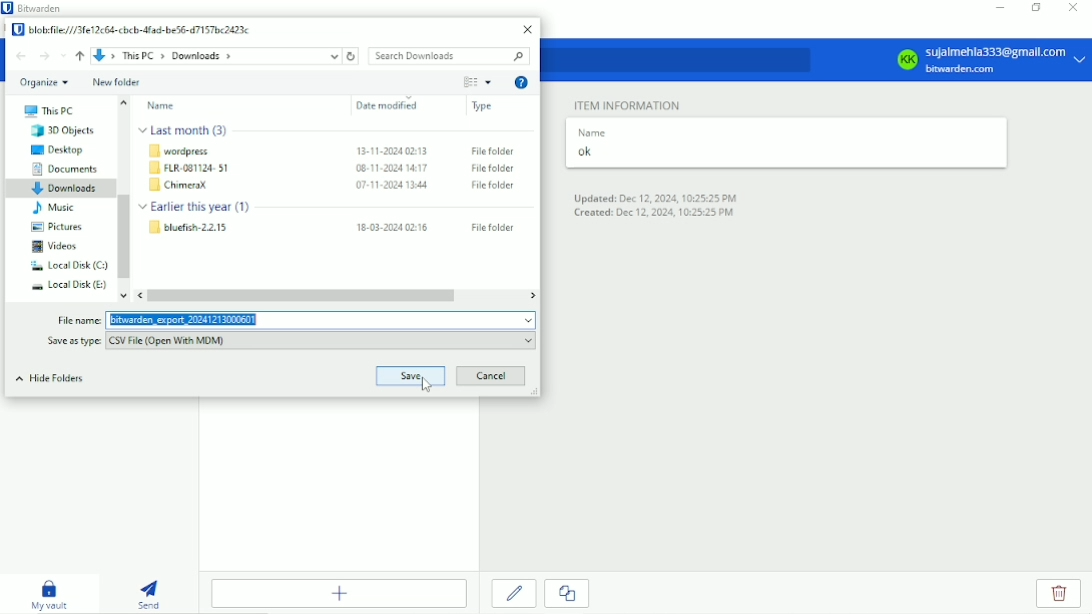 The width and height of the screenshot is (1092, 614). Describe the element at coordinates (62, 55) in the screenshot. I see `Recent locations` at that location.